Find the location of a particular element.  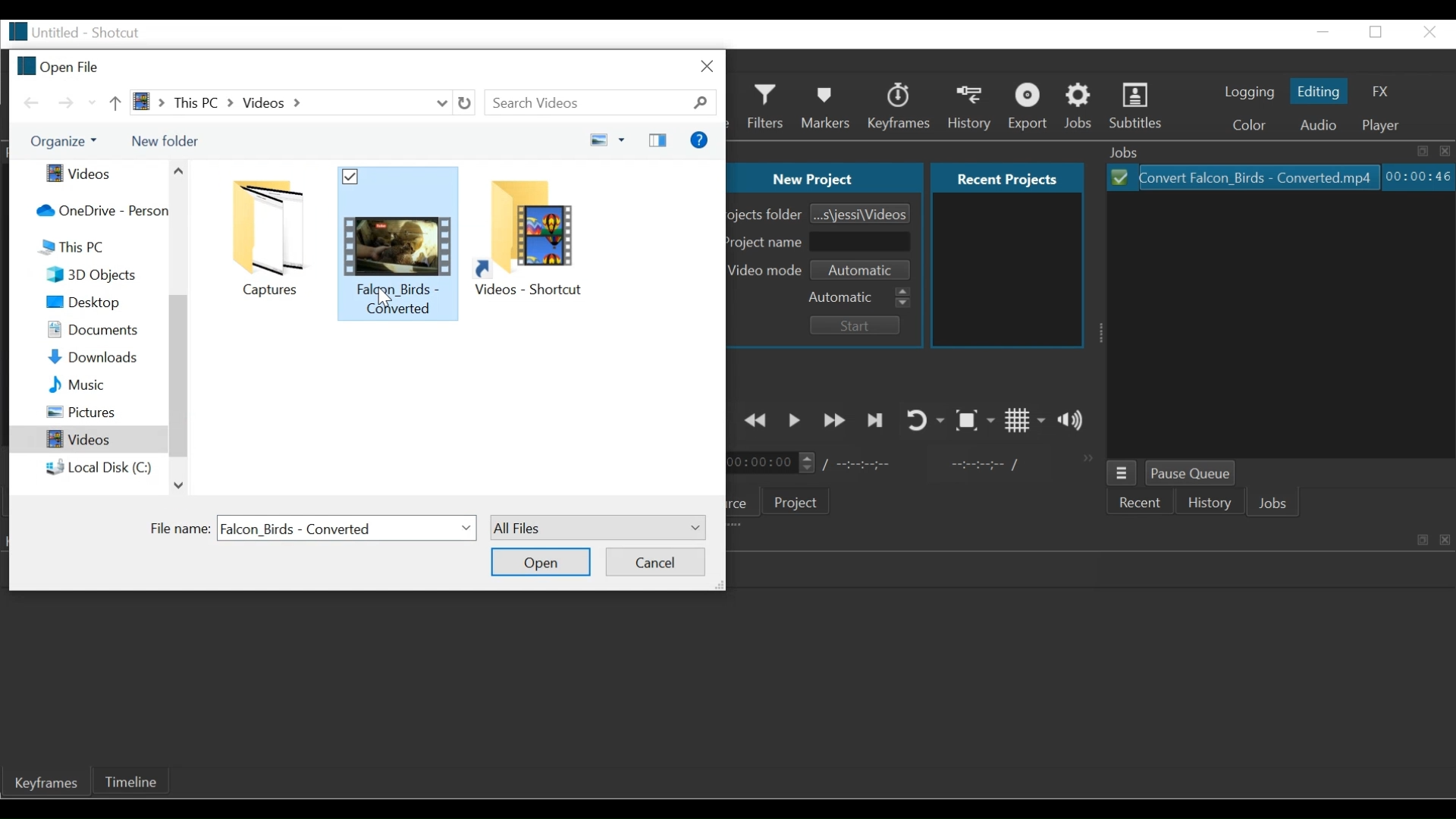

cursor is located at coordinates (383, 300).